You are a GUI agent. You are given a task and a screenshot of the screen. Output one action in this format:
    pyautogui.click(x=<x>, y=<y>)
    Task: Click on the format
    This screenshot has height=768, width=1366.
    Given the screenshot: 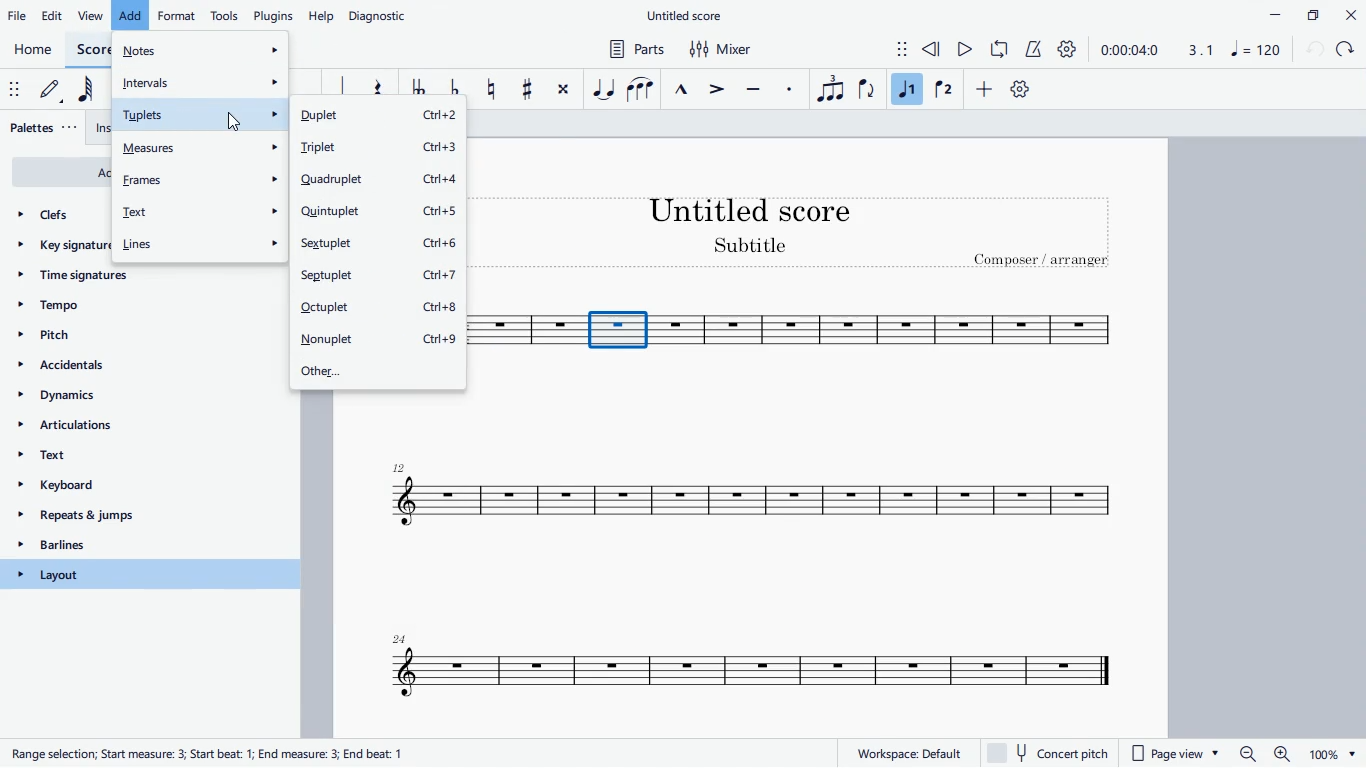 What is the action you would take?
    pyautogui.click(x=177, y=14)
    